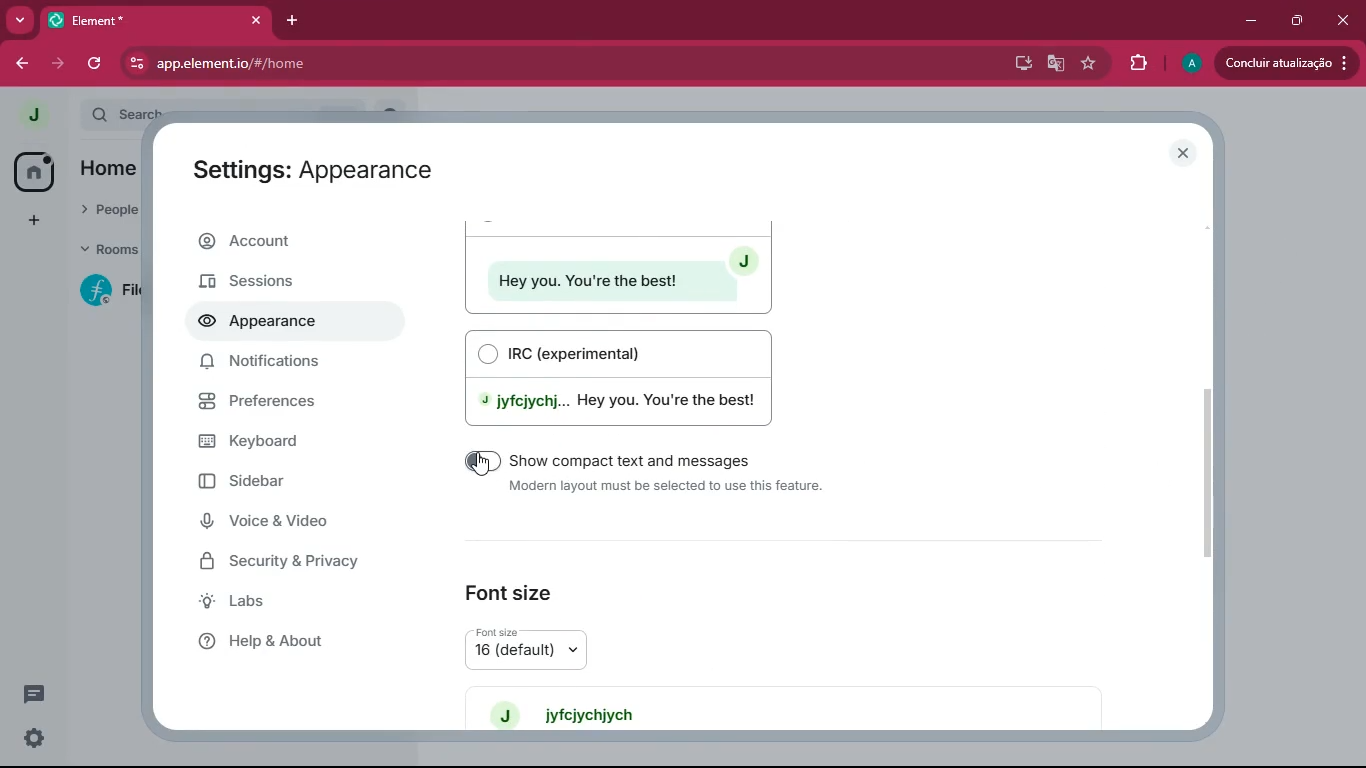  I want to click on jyfeiychiych, so click(577, 713).